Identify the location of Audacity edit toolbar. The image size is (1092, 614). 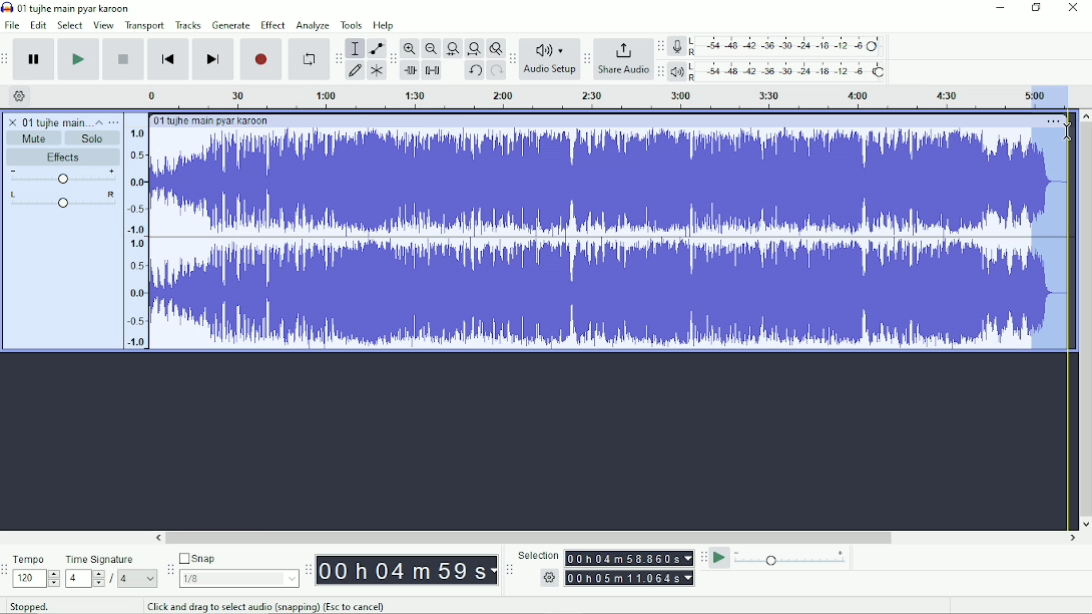
(391, 59).